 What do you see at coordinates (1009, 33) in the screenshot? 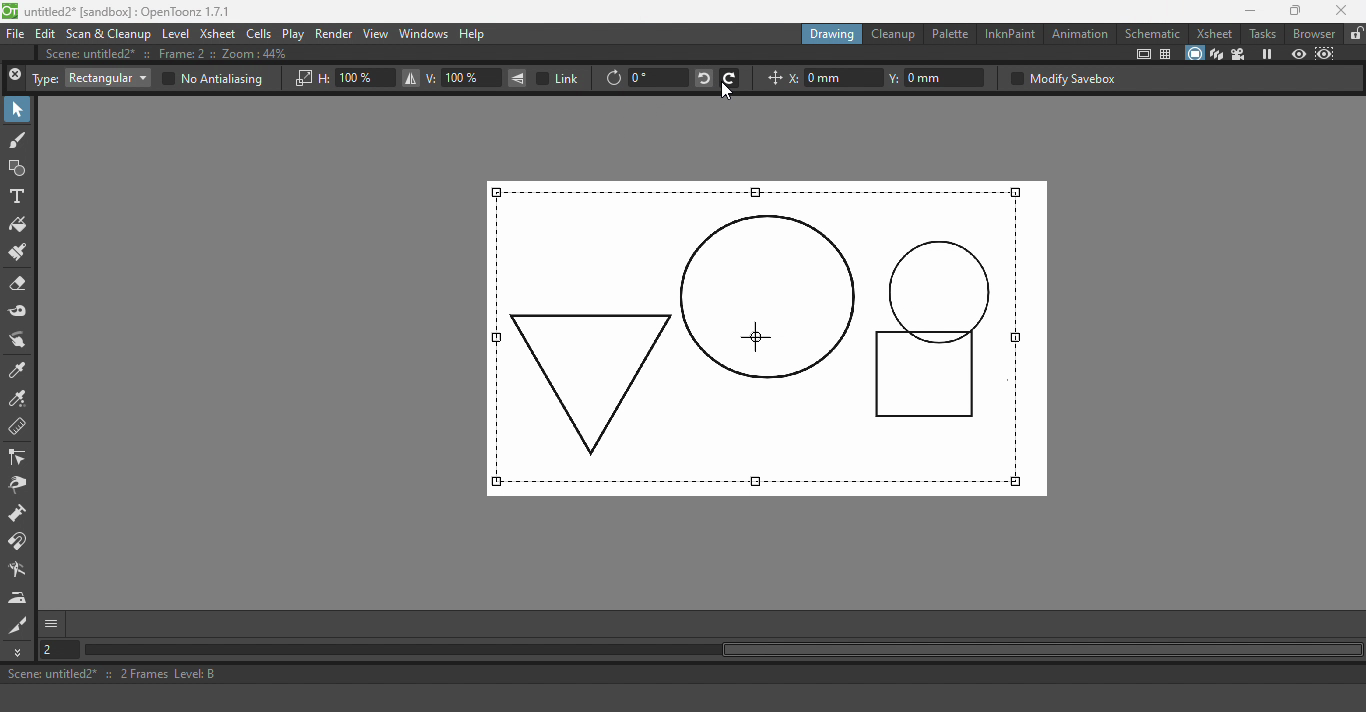
I see `InknPaint` at bounding box center [1009, 33].